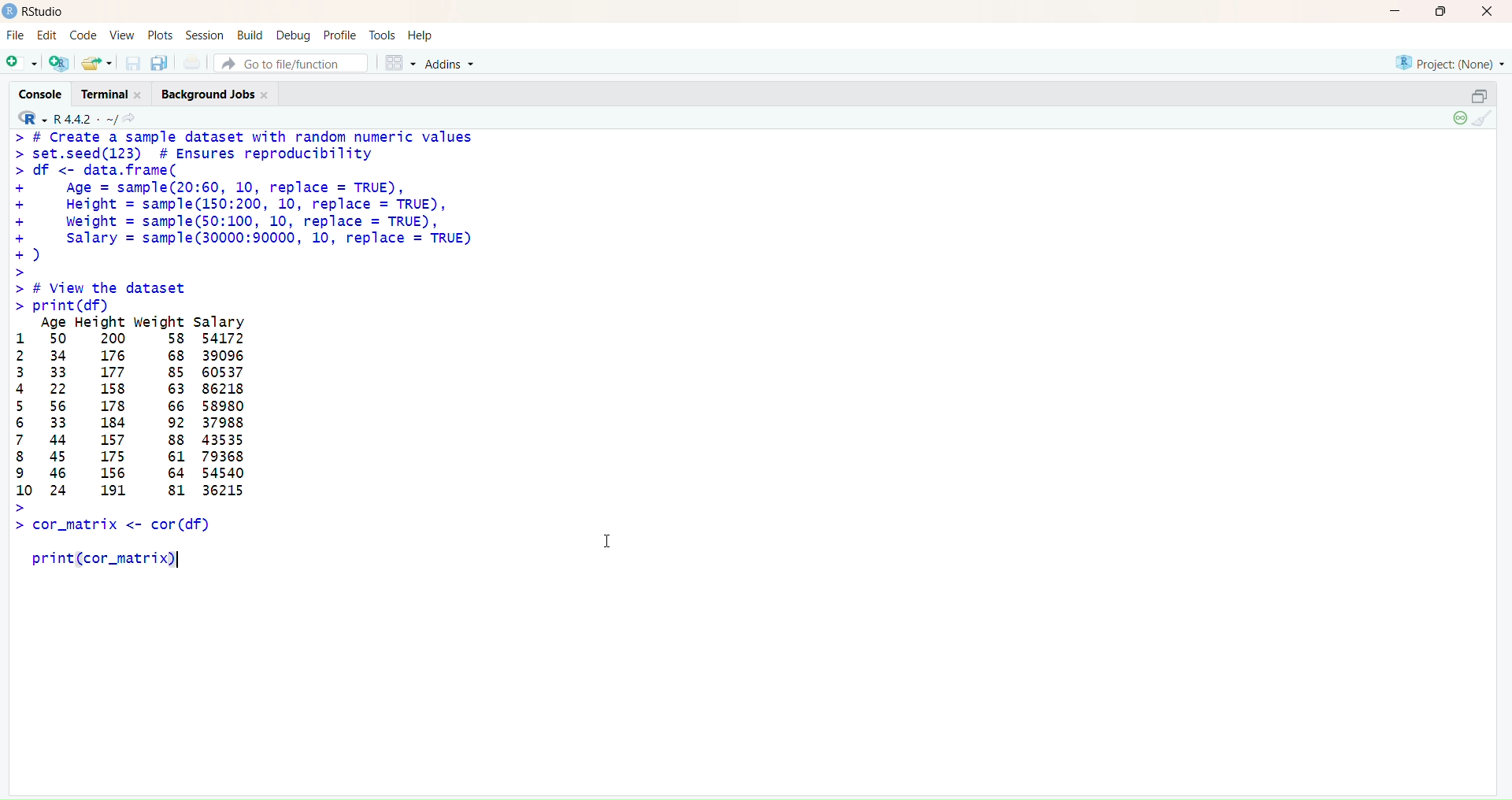  Describe the element at coordinates (106, 557) in the screenshot. I see `print(cor_matrix)|` at that location.